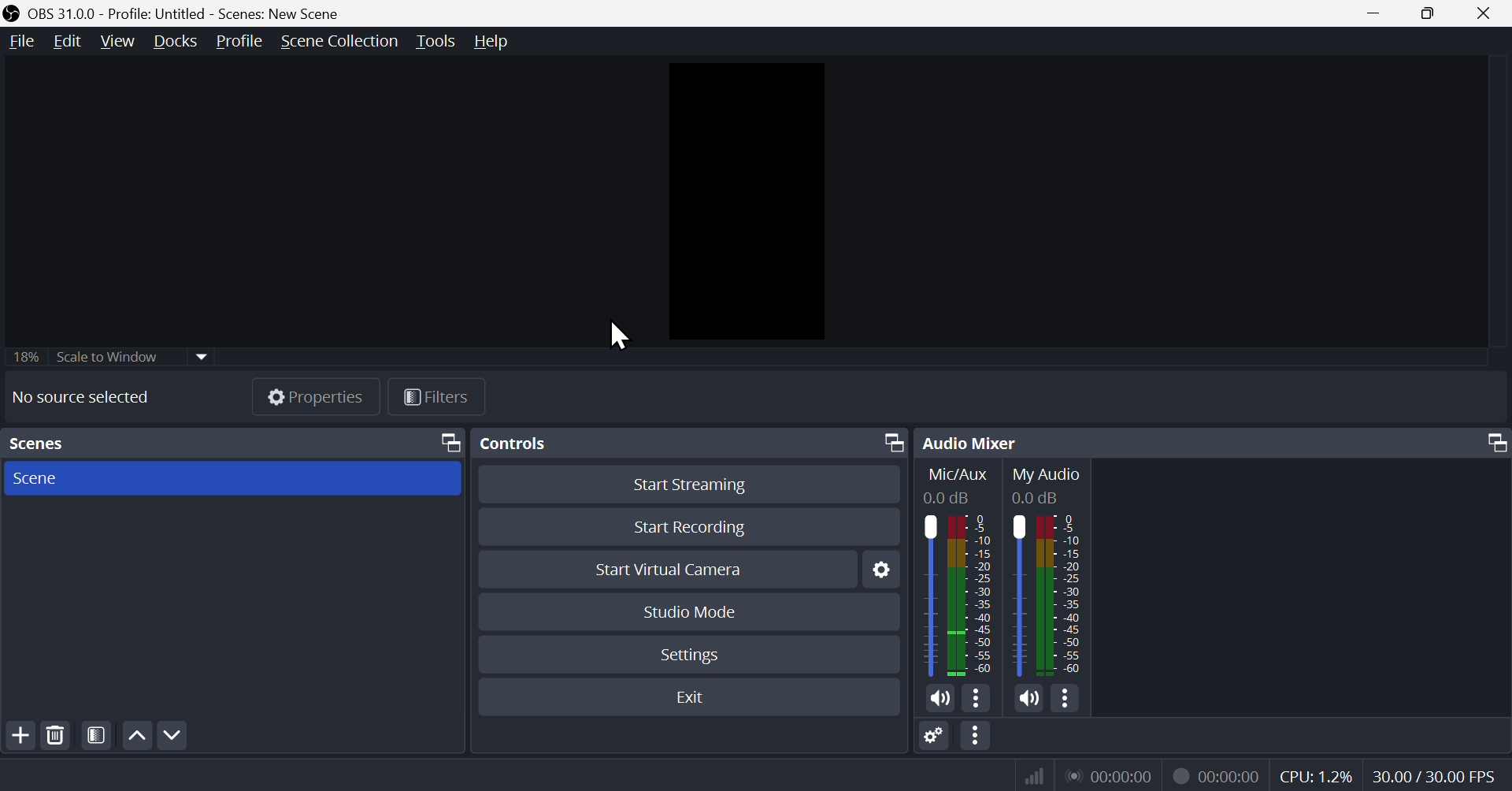  Describe the element at coordinates (888, 440) in the screenshot. I see `Maximize` at that location.